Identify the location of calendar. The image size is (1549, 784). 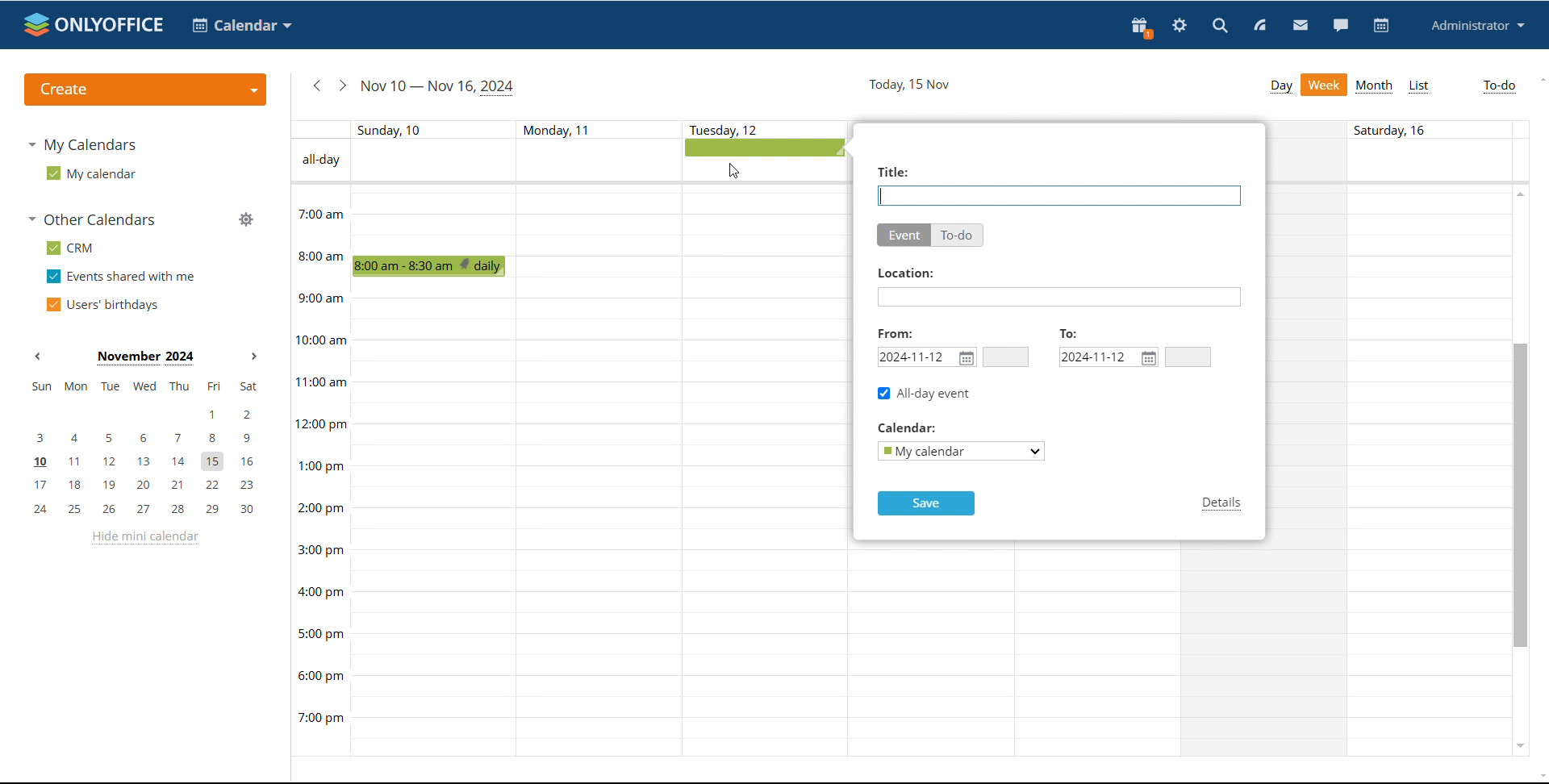
(1380, 26).